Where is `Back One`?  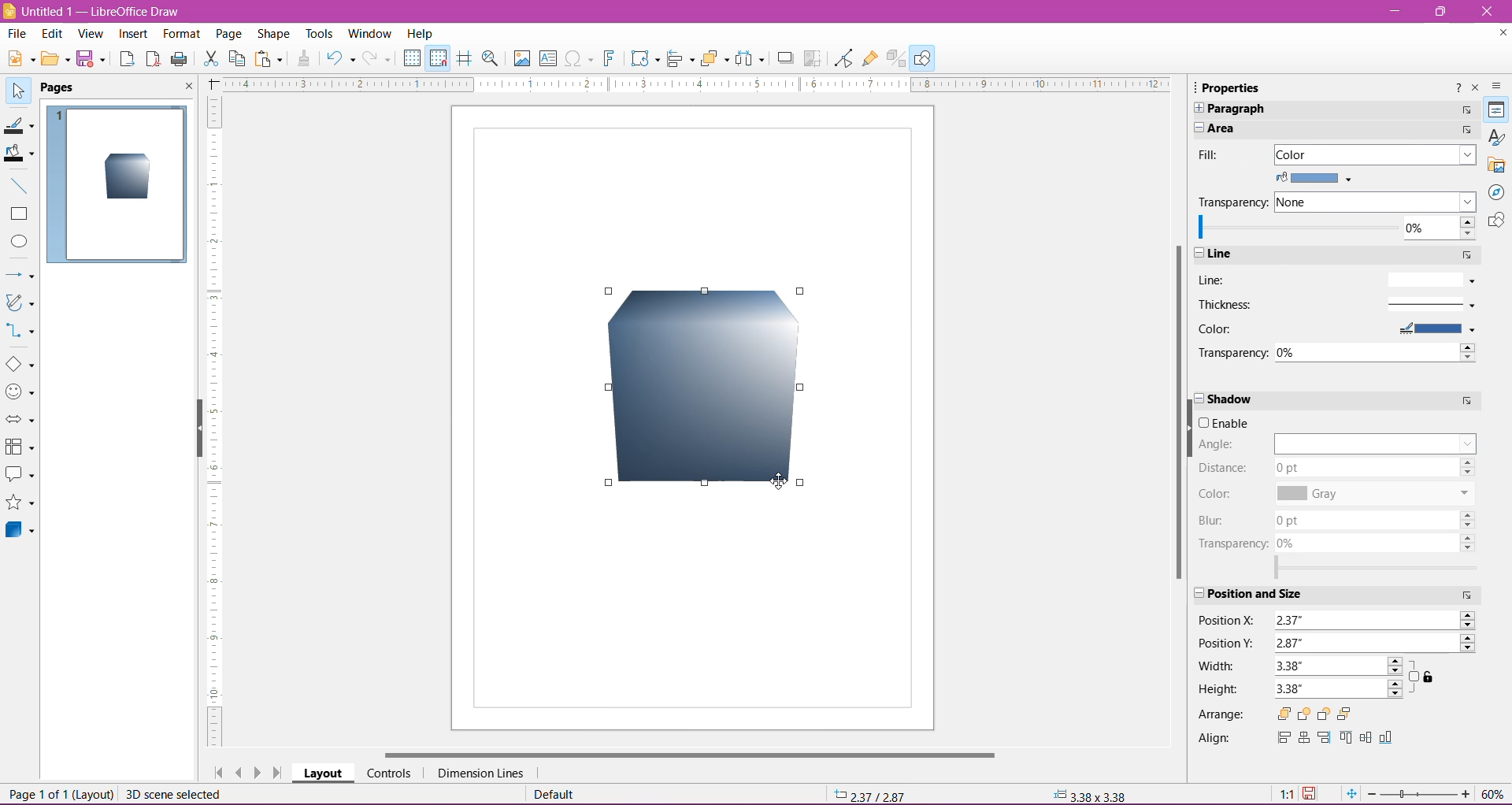
Back One is located at coordinates (1322, 714).